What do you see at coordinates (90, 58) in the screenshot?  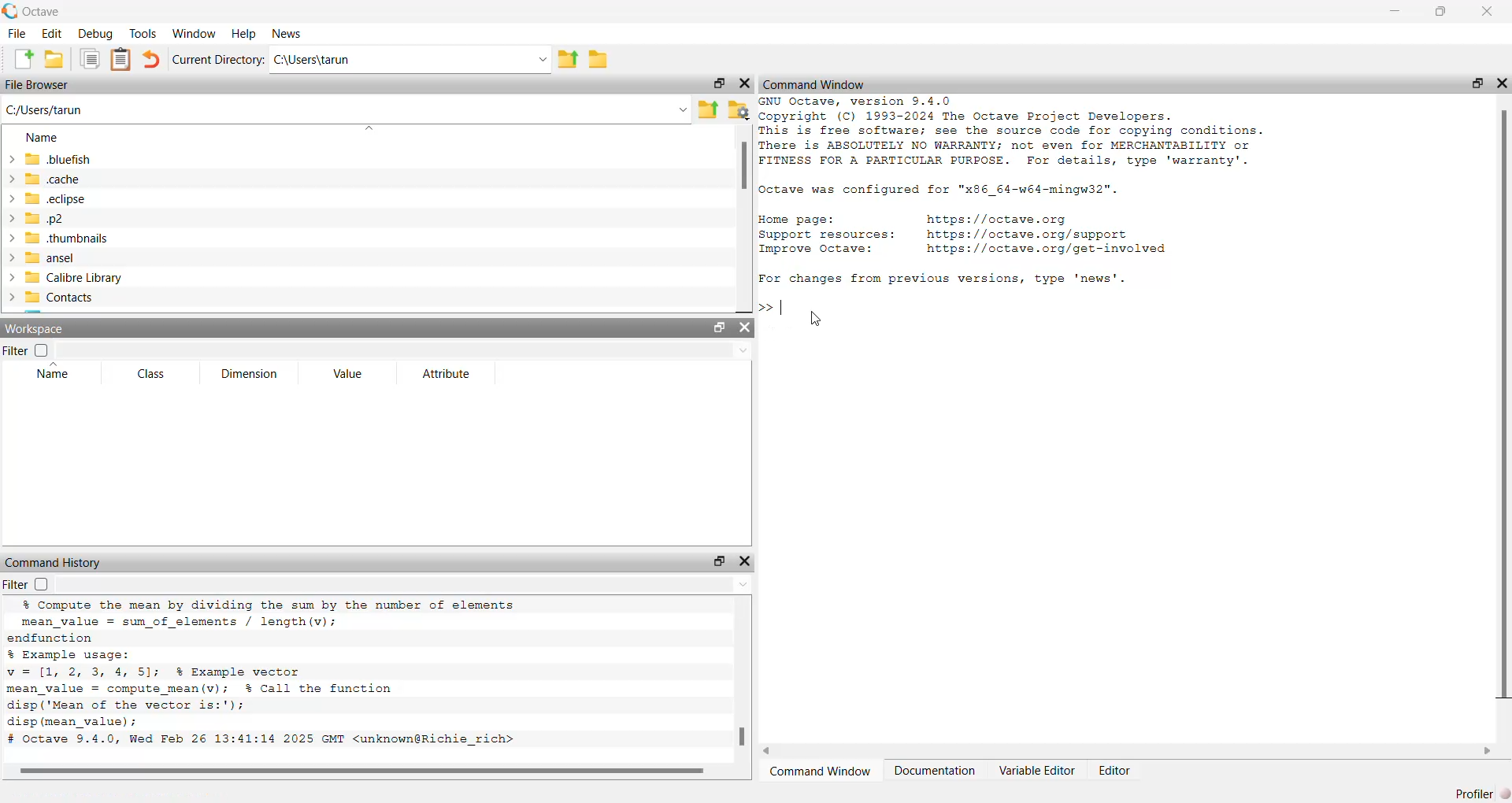 I see `copy` at bounding box center [90, 58].